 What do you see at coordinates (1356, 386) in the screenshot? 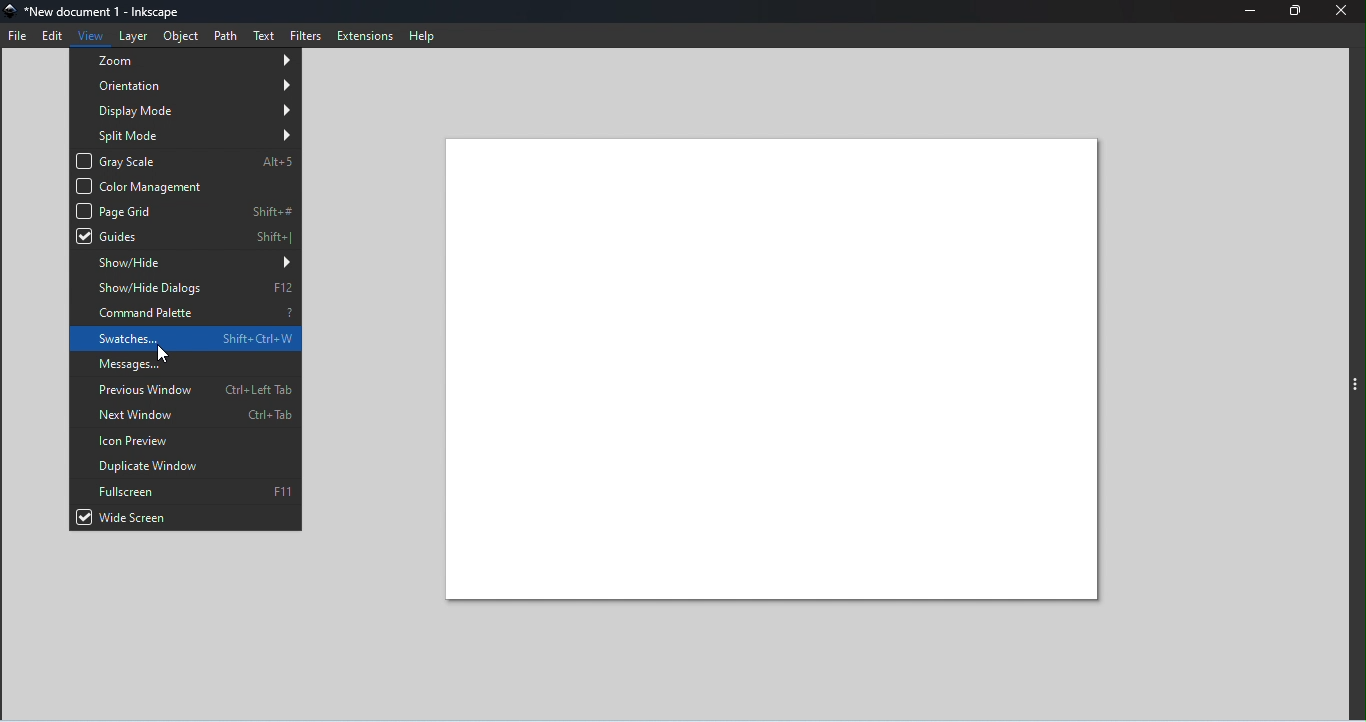
I see `Toggle command panel` at bounding box center [1356, 386].